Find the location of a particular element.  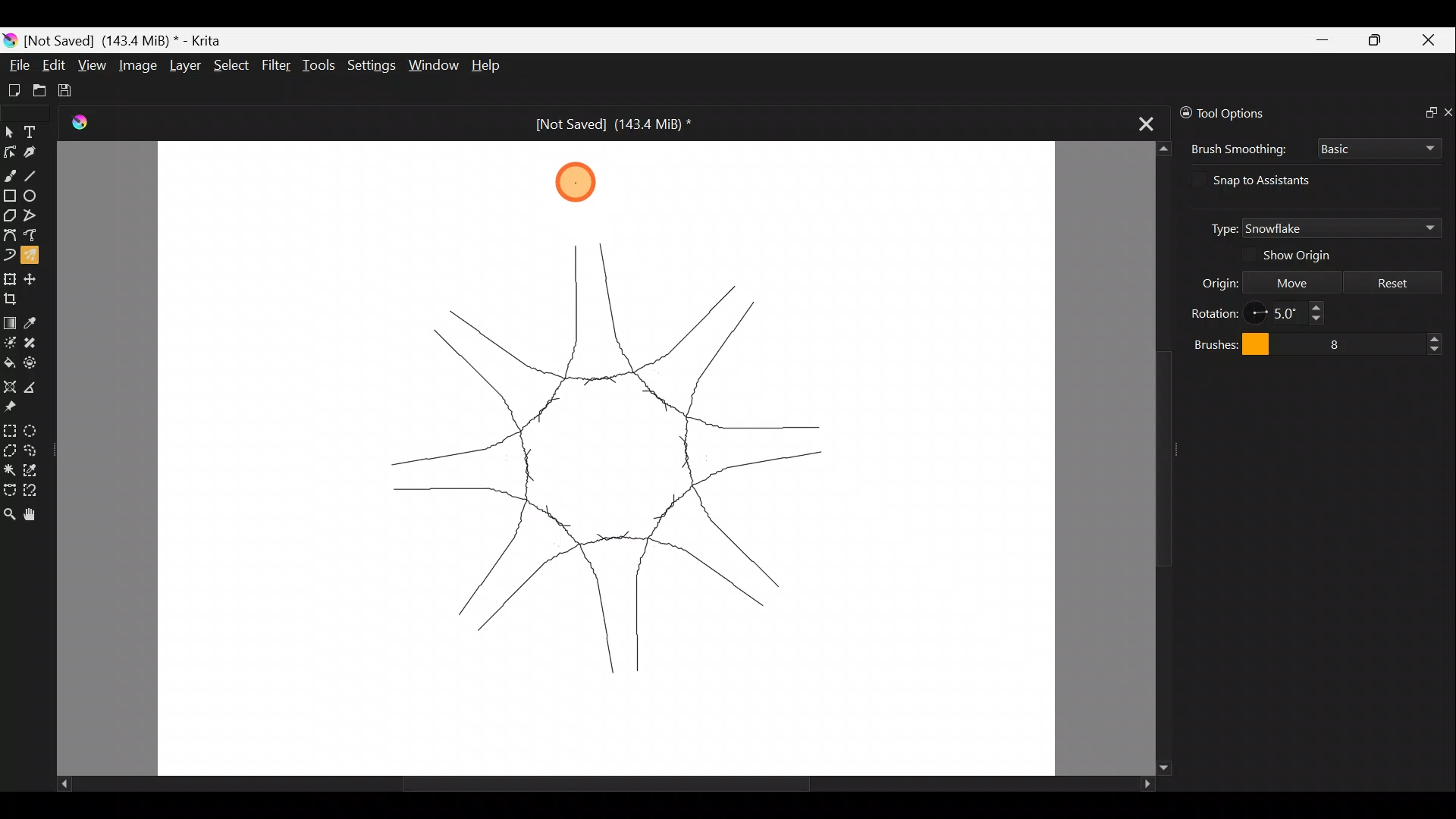

File is located at coordinates (14, 67).